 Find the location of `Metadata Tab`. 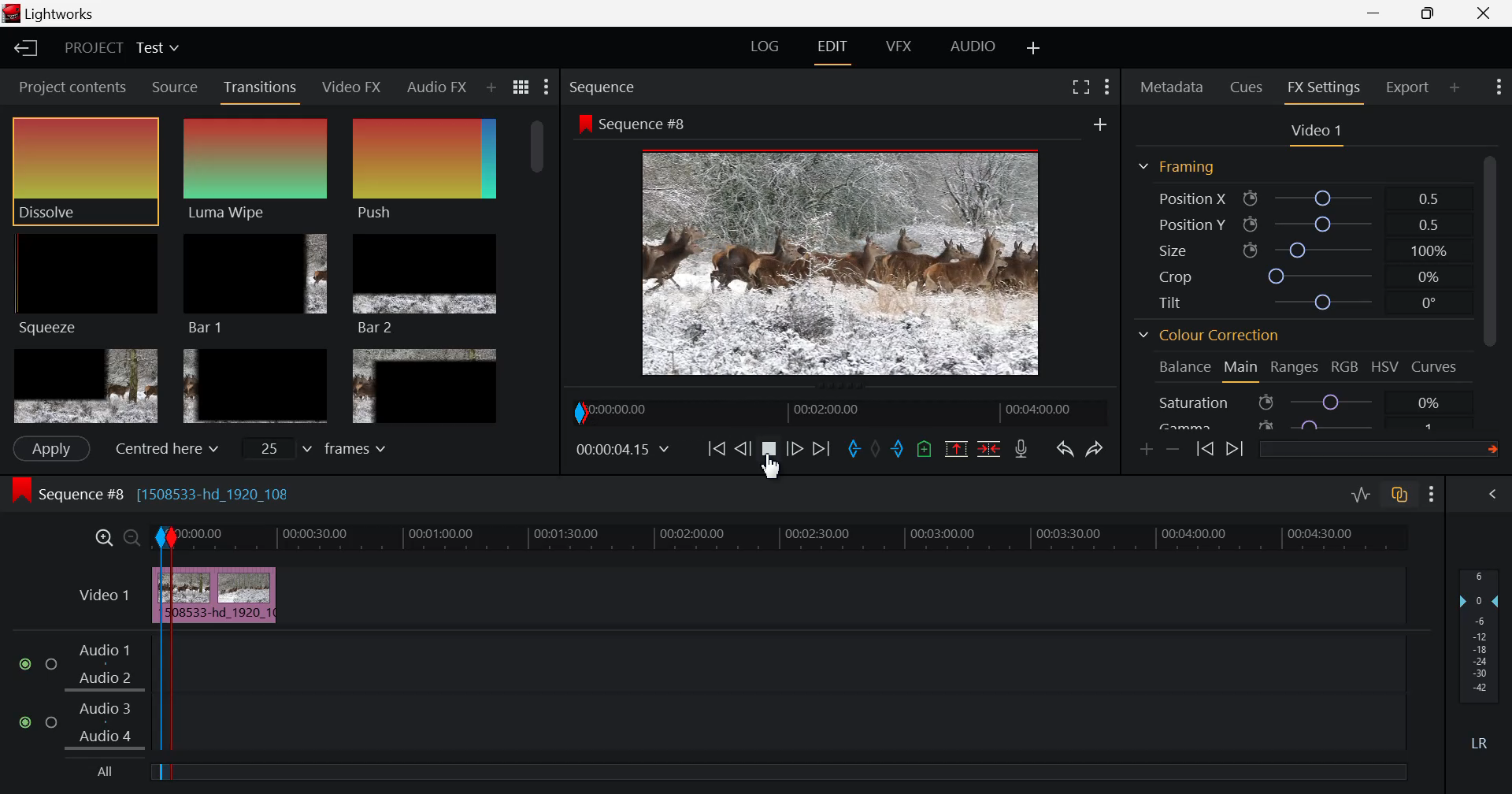

Metadata Tab is located at coordinates (1172, 87).